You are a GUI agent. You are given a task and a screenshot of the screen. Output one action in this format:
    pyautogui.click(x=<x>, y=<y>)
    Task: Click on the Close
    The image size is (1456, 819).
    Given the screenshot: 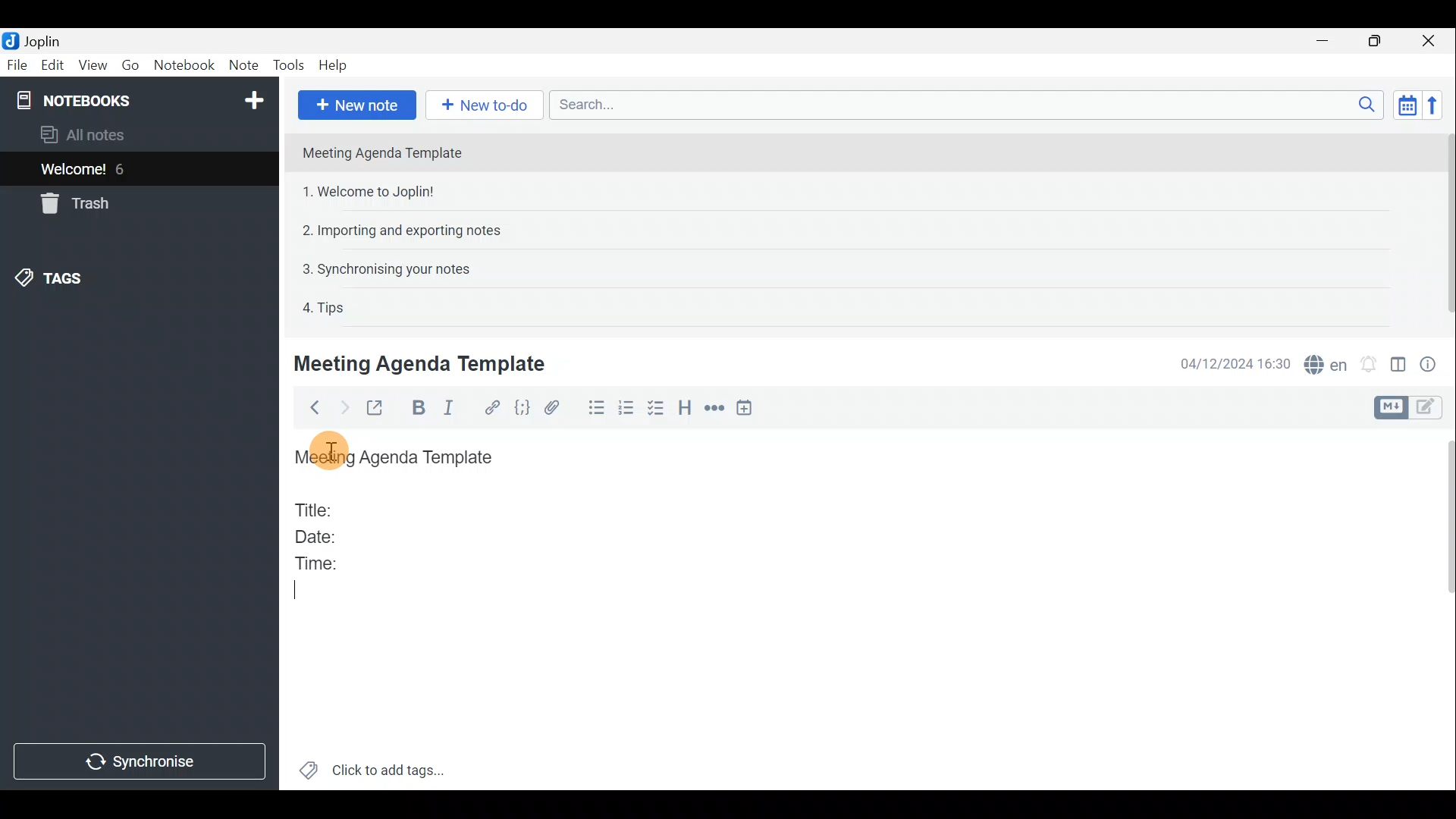 What is the action you would take?
    pyautogui.click(x=1429, y=42)
    